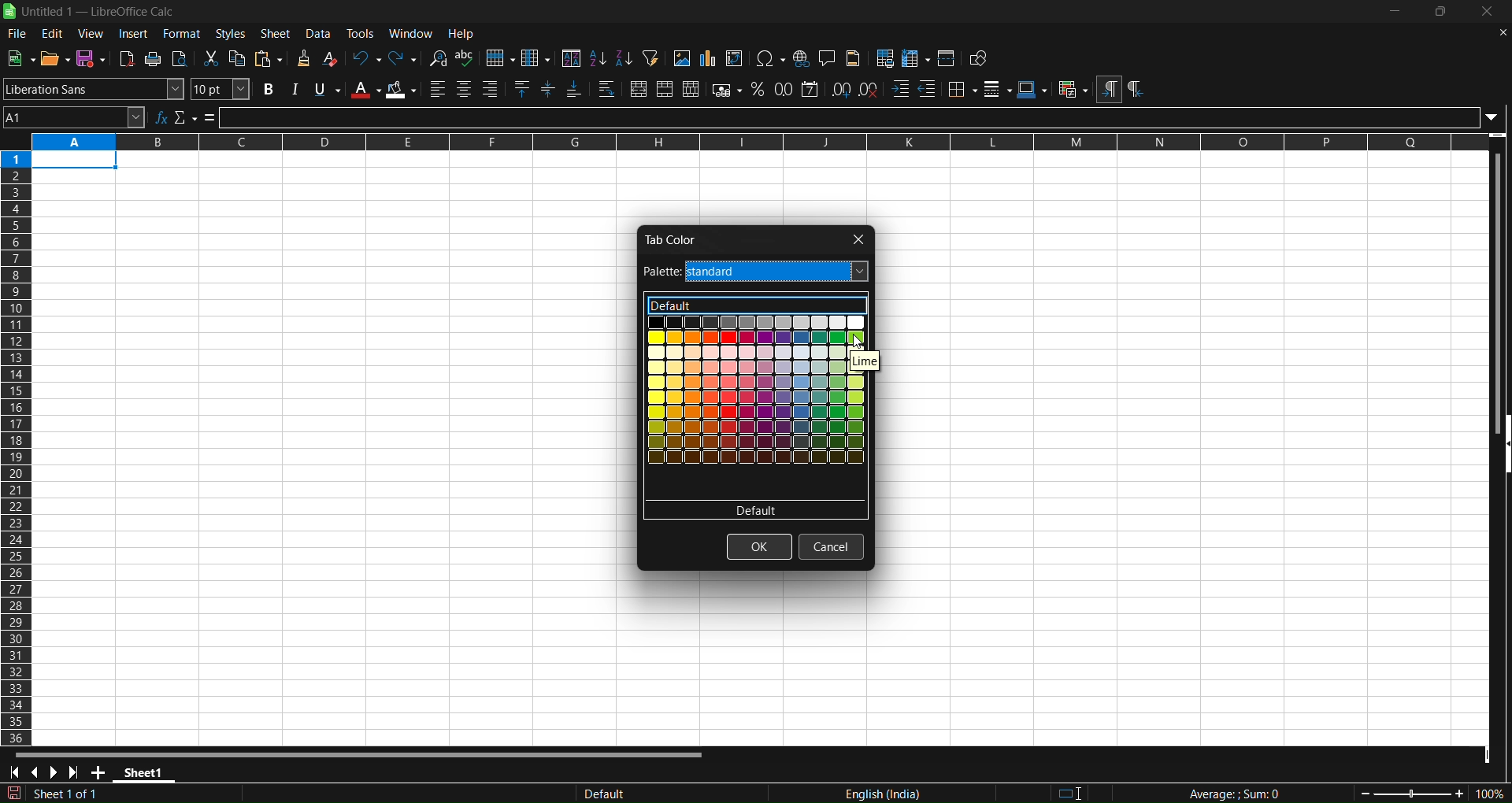 This screenshot has height=803, width=1512. What do you see at coordinates (493, 90) in the screenshot?
I see `align right` at bounding box center [493, 90].